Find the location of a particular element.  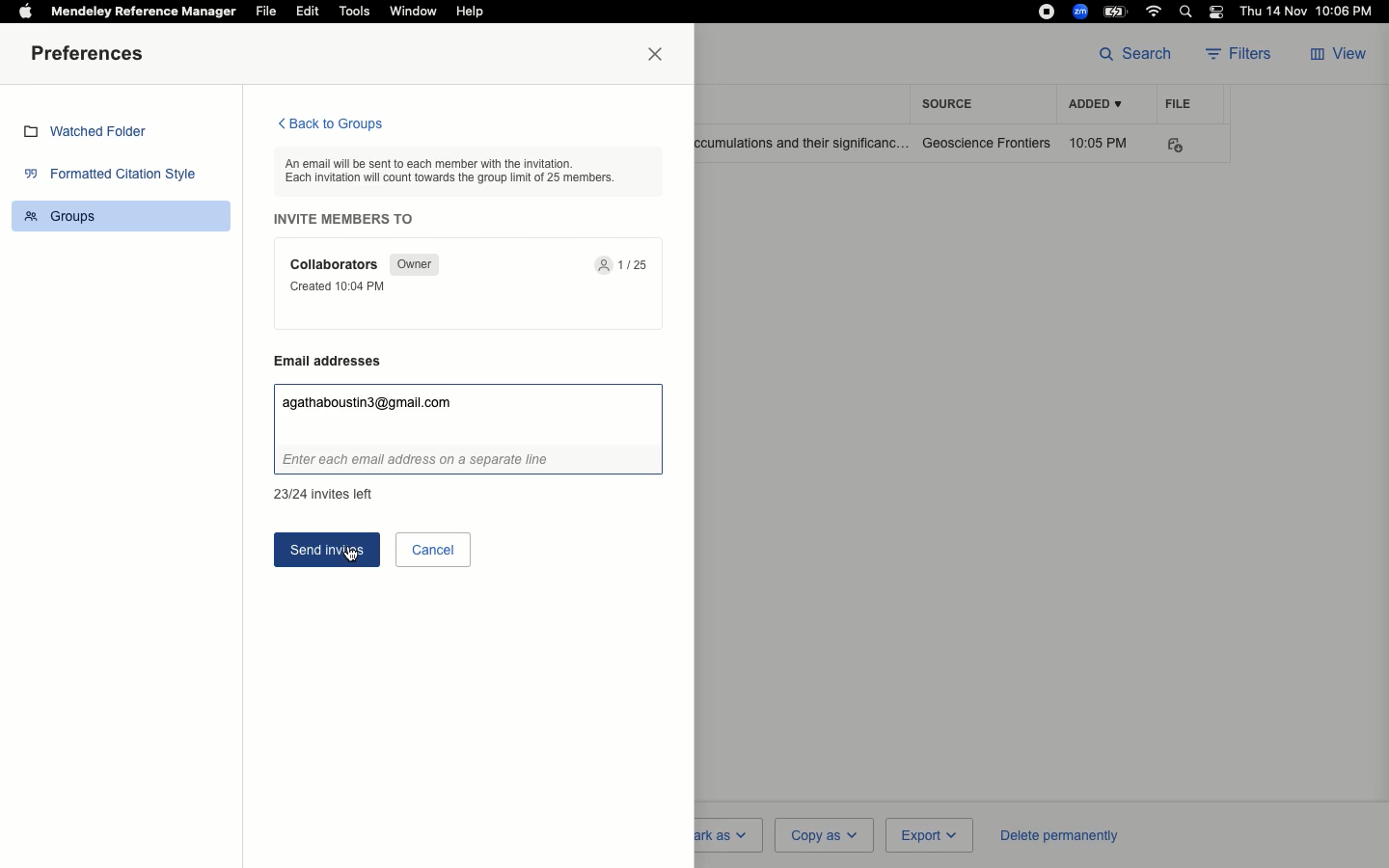

Export is located at coordinates (927, 836).